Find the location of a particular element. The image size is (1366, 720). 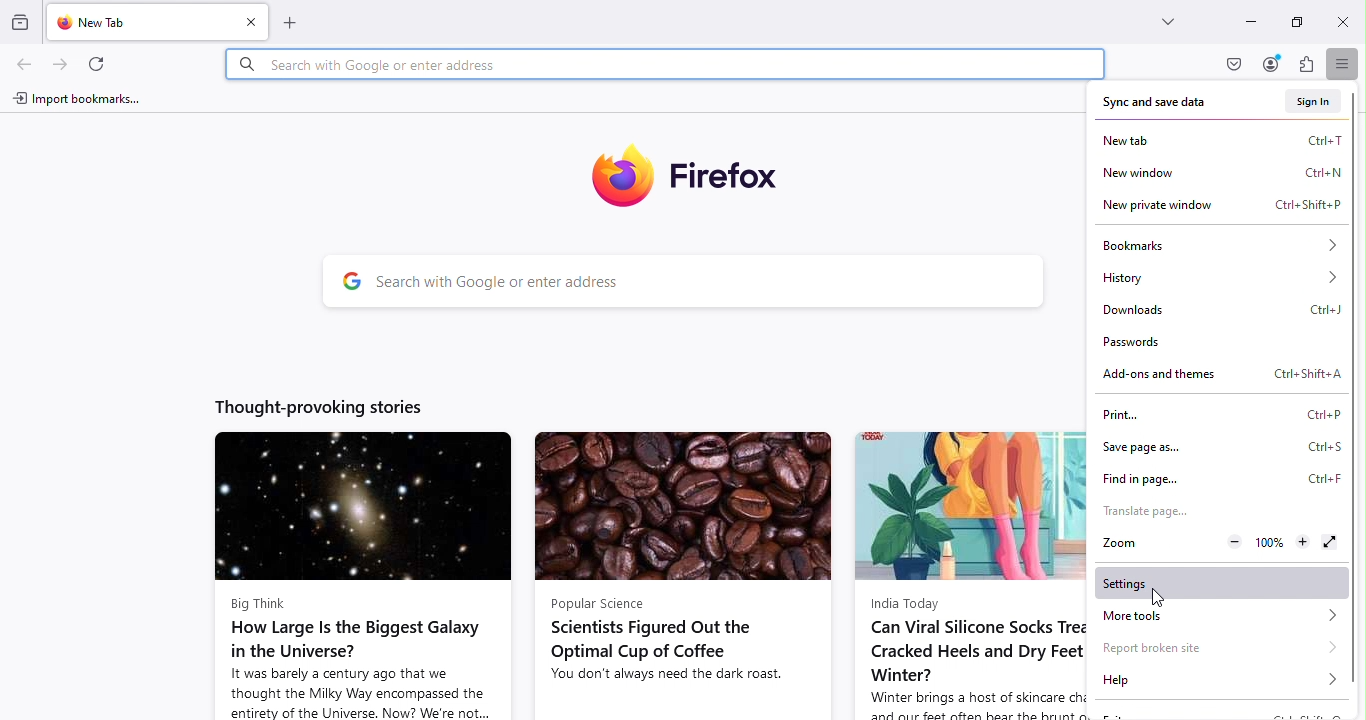

cursor is located at coordinates (1153, 597).